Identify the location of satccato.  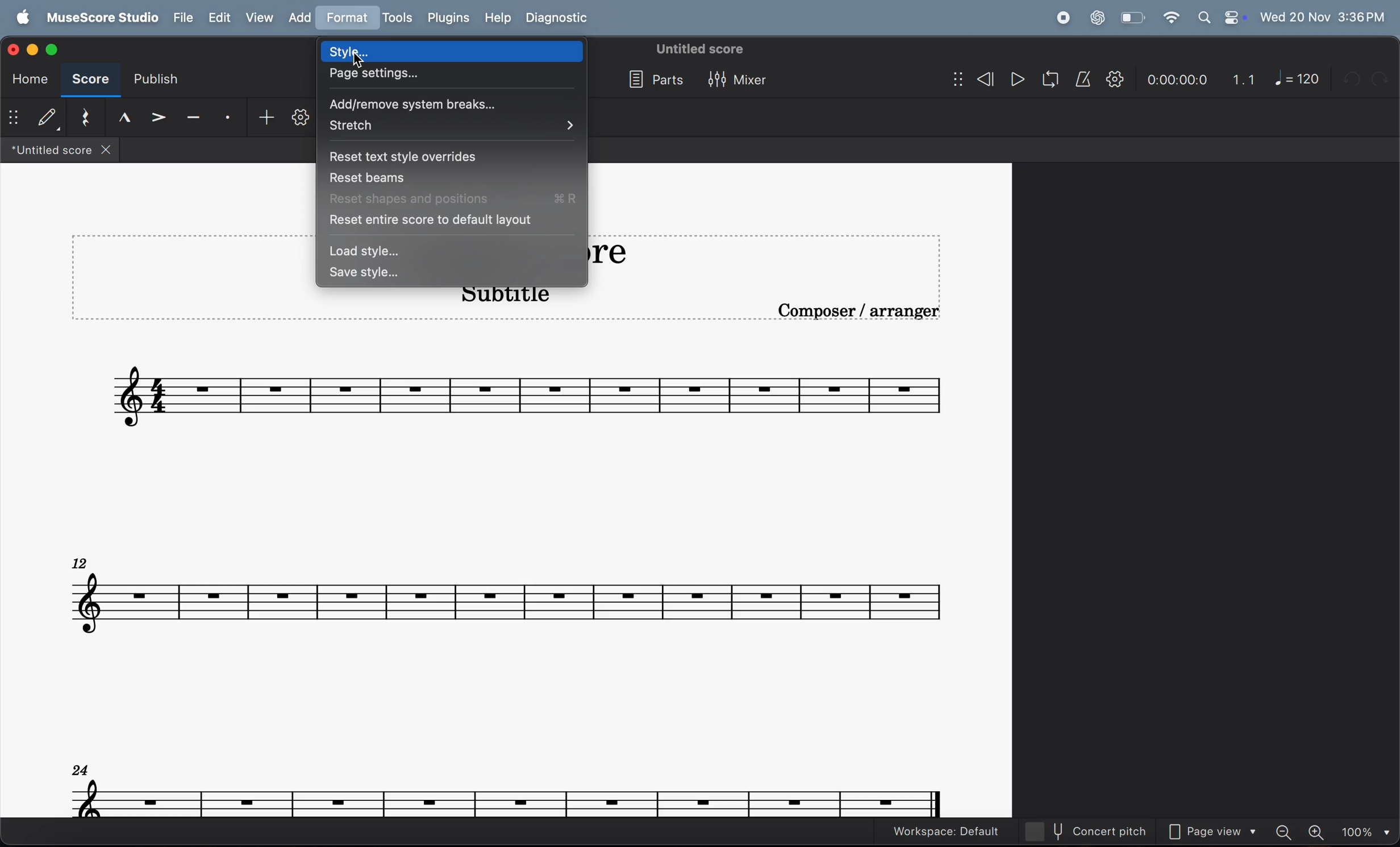
(228, 118).